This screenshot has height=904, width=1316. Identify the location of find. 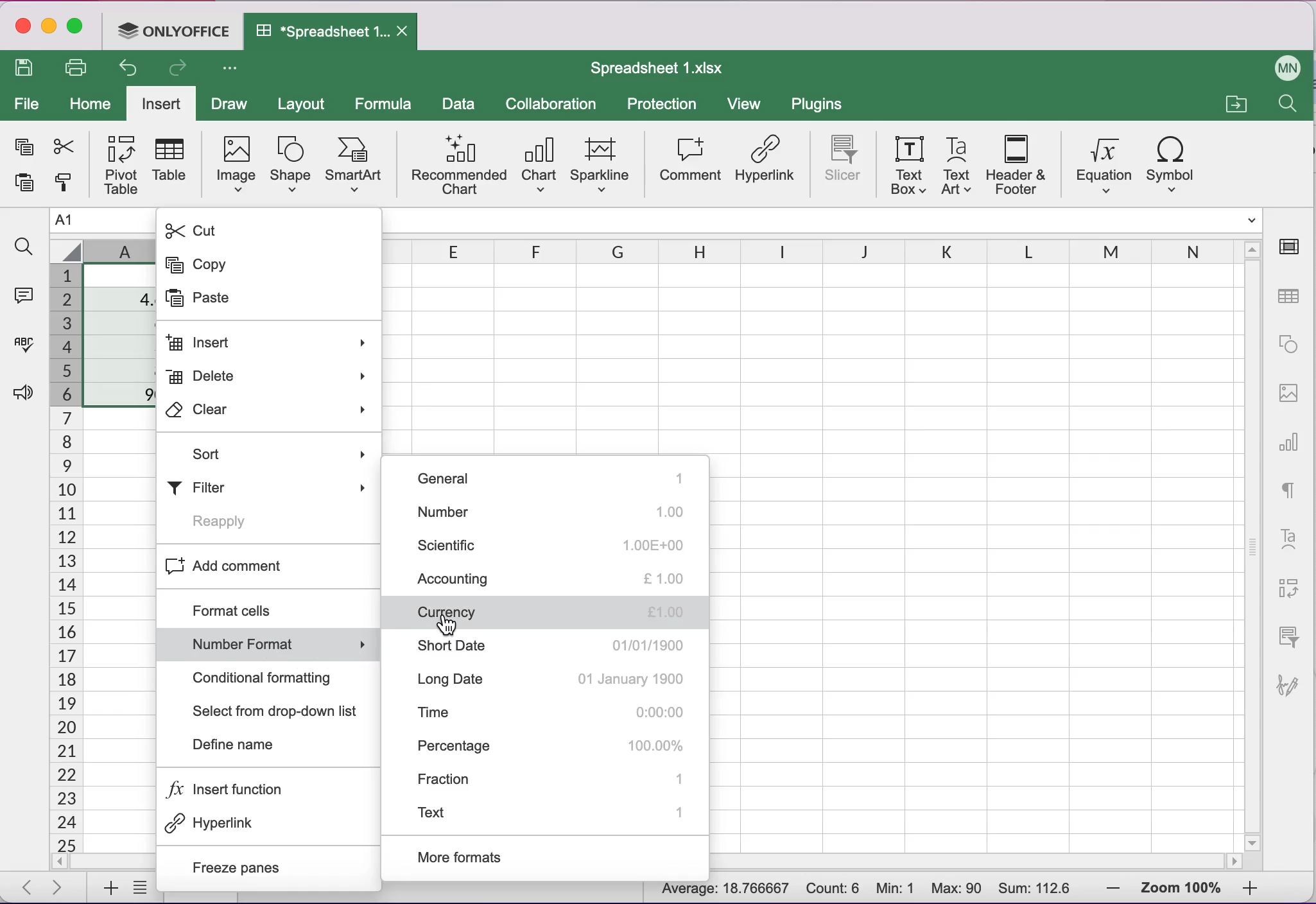
(1282, 104).